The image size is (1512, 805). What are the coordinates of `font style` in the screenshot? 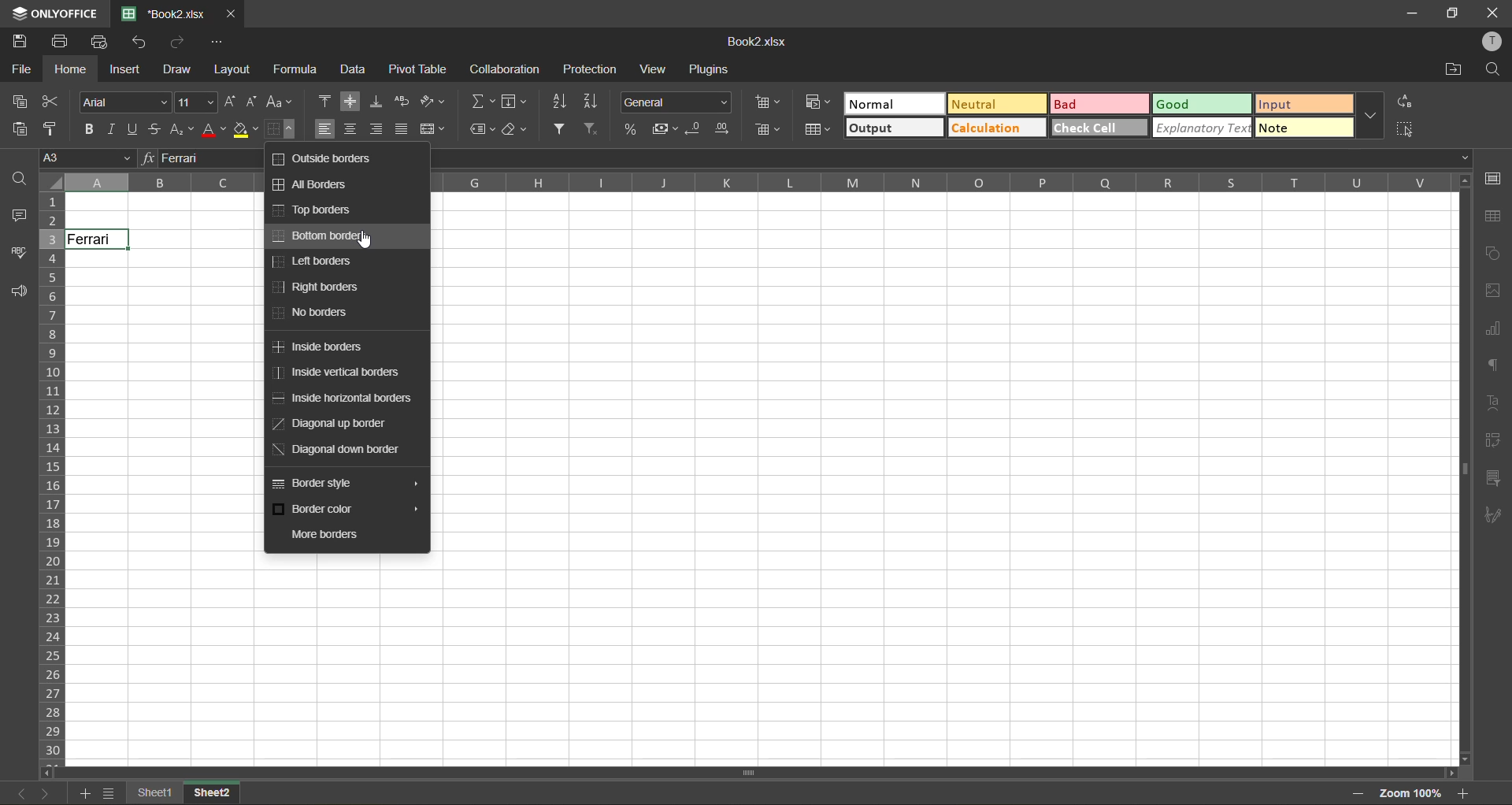 It's located at (124, 102).